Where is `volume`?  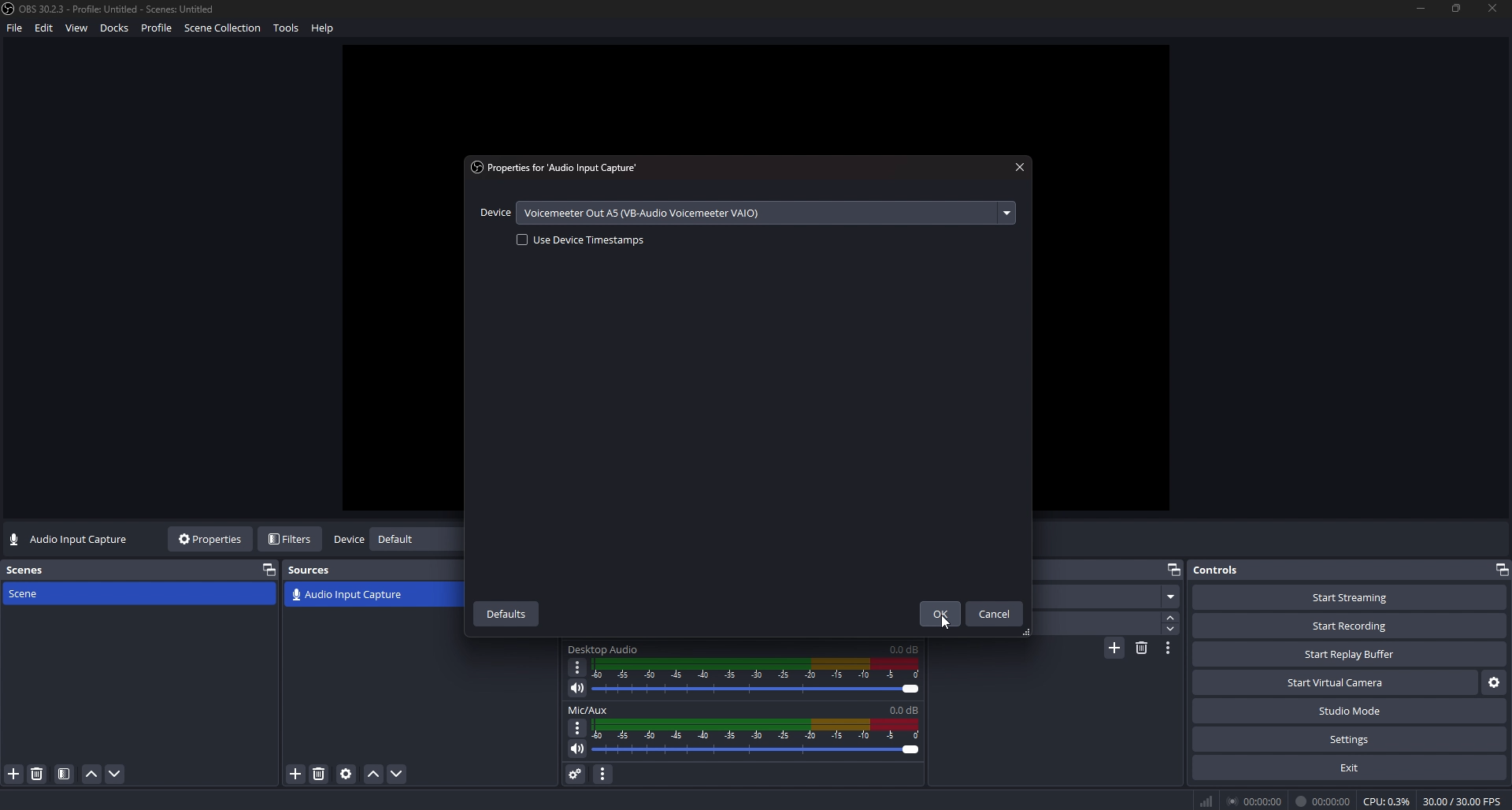
volume is located at coordinates (575, 752).